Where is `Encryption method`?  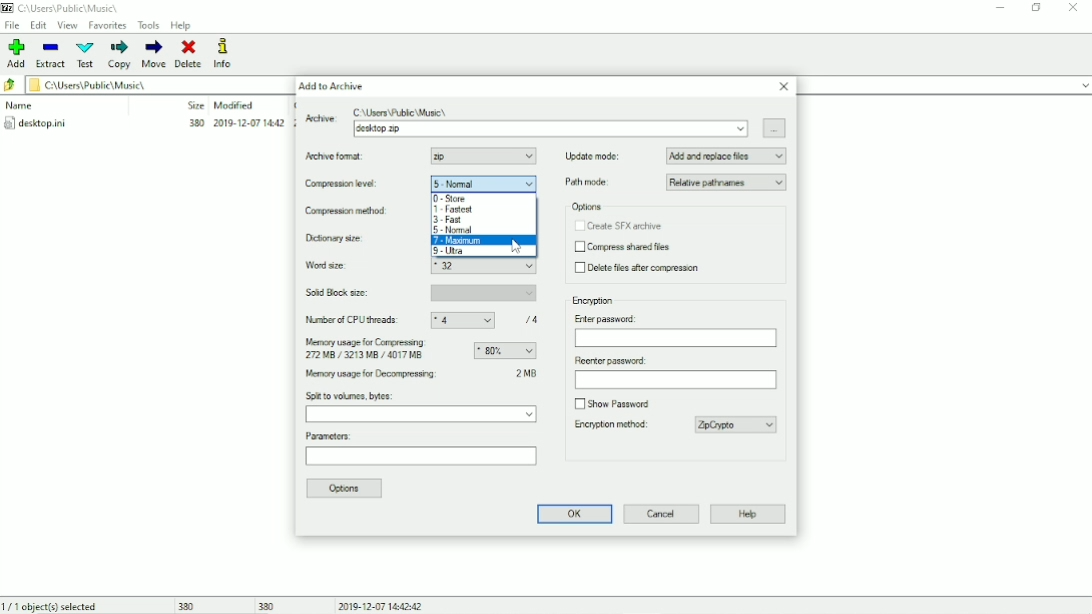 Encryption method is located at coordinates (677, 424).